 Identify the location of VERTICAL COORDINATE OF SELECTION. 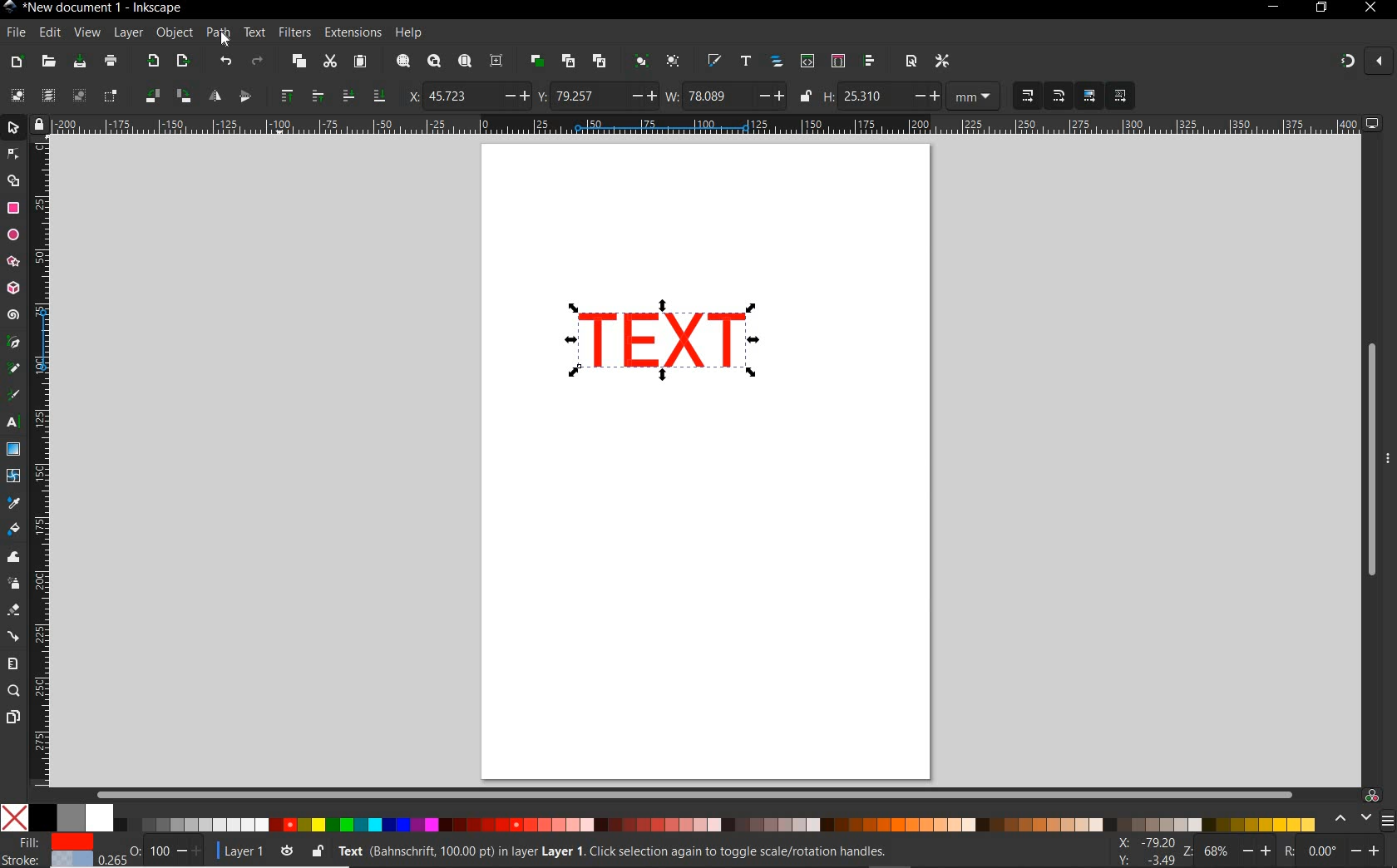
(596, 96).